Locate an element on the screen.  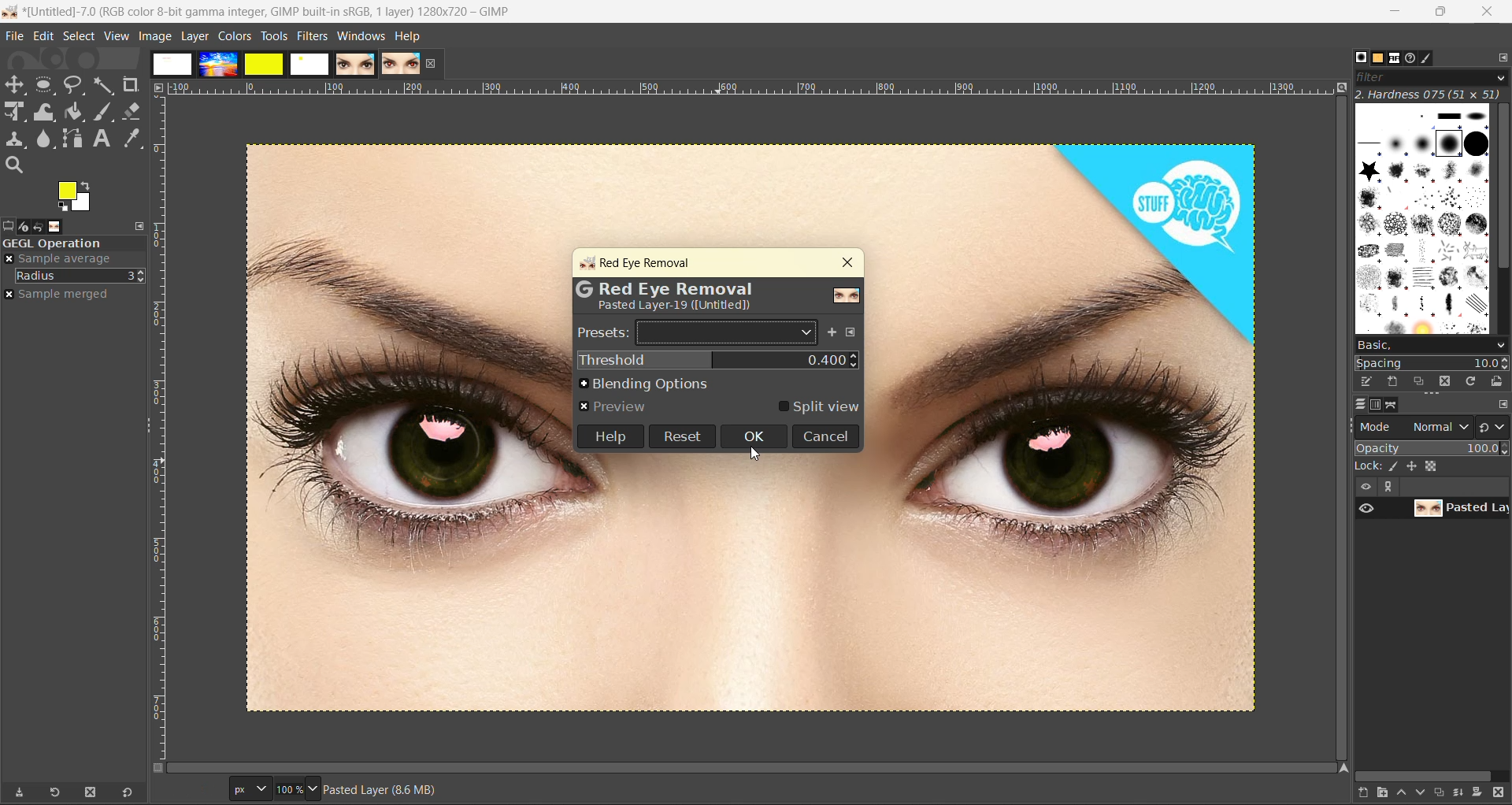
close is located at coordinates (850, 261).